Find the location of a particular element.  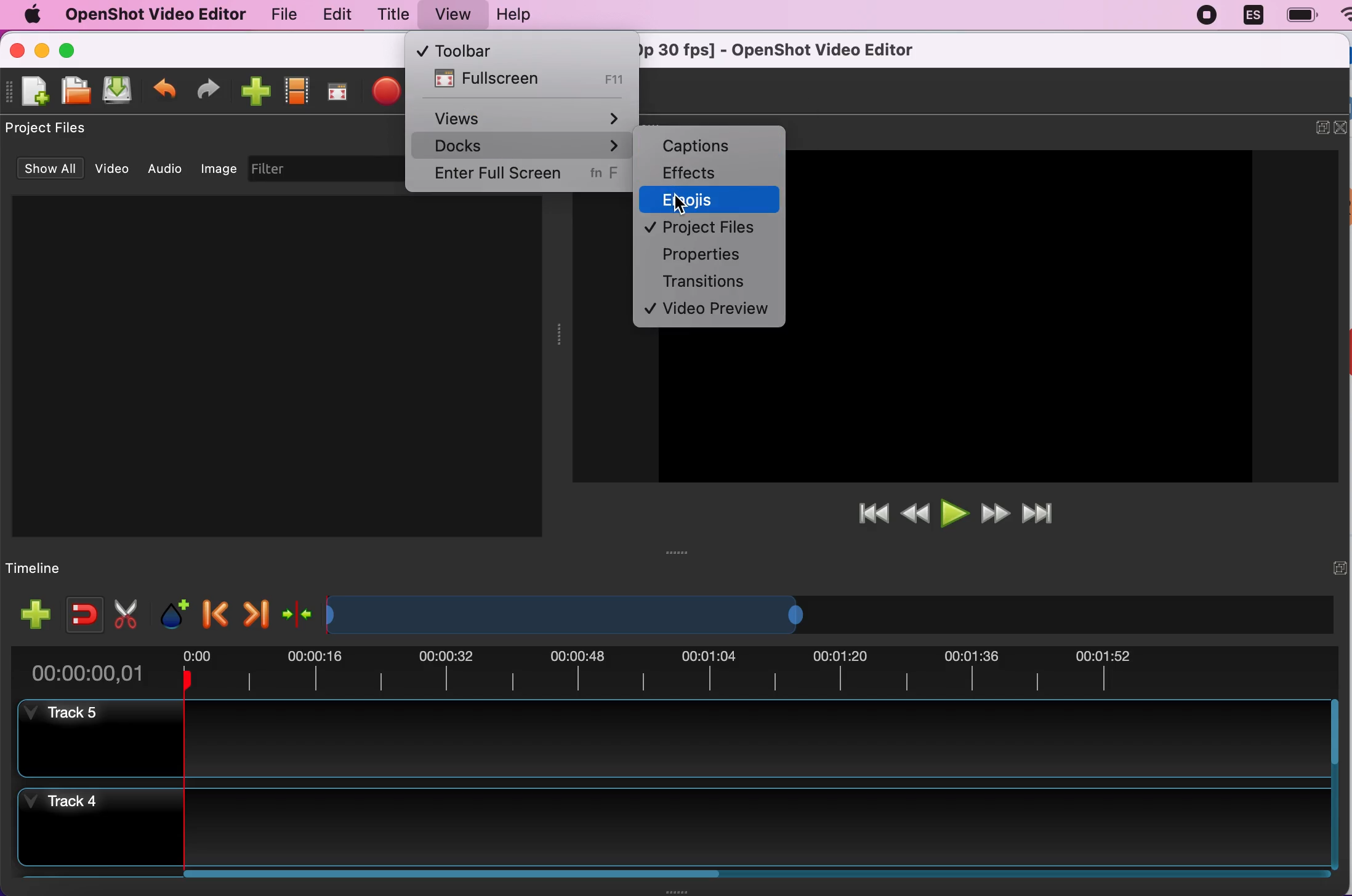

image is located at coordinates (220, 167).